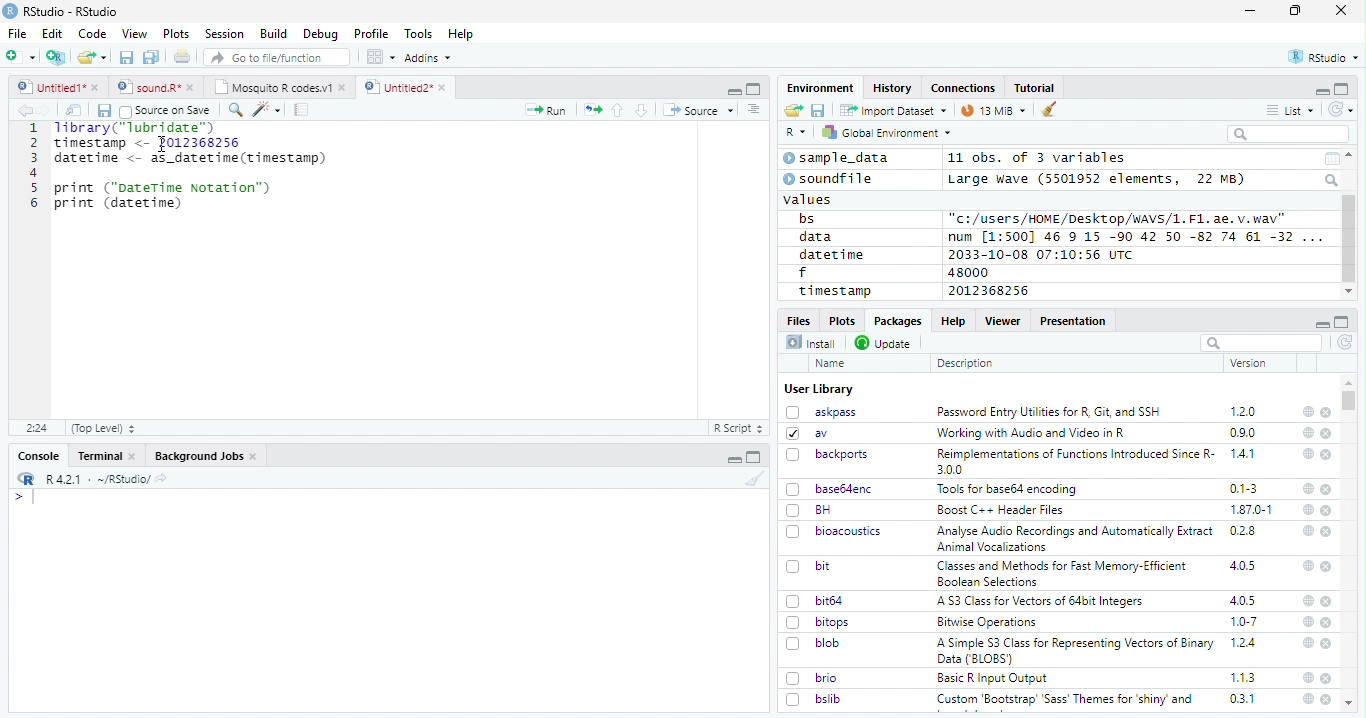 This screenshot has height=718, width=1366. What do you see at coordinates (91, 34) in the screenshot?
I see `Code` at bounding box center [91, 34].